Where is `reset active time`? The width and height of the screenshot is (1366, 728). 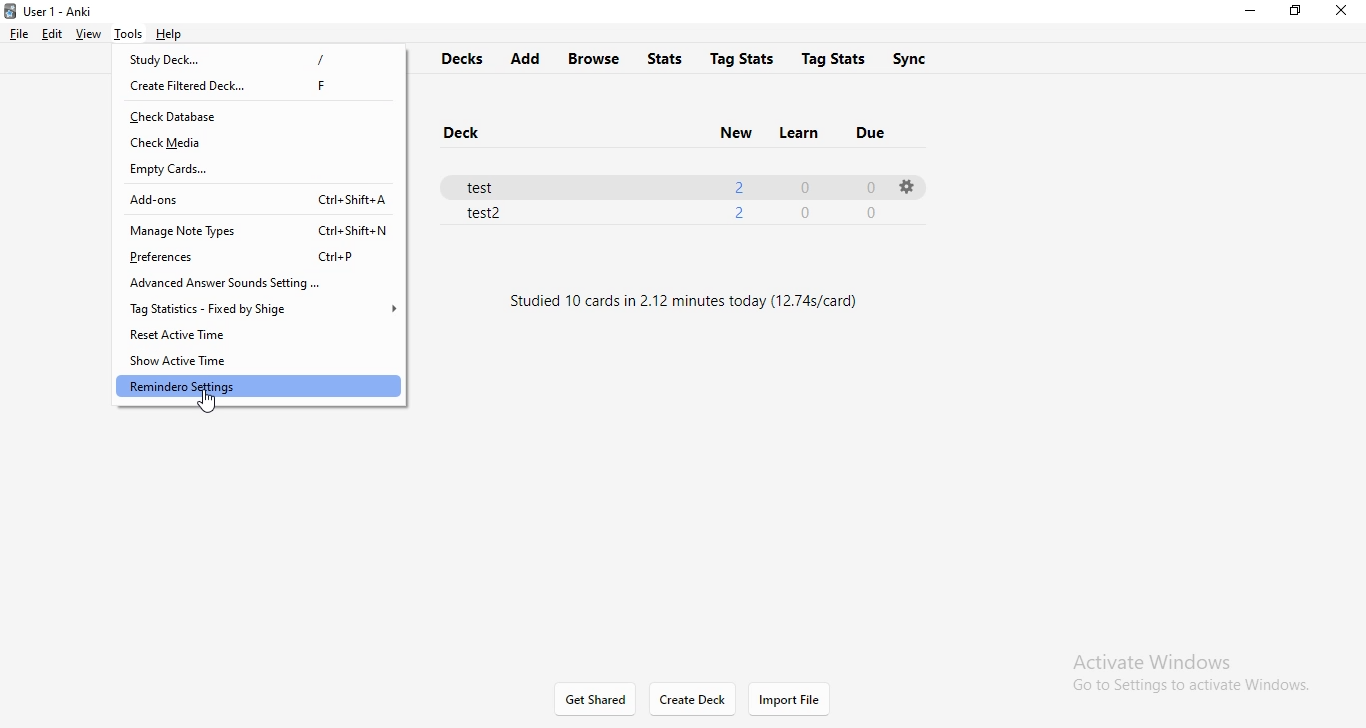
reset active time is located at coordinates (241, 337).